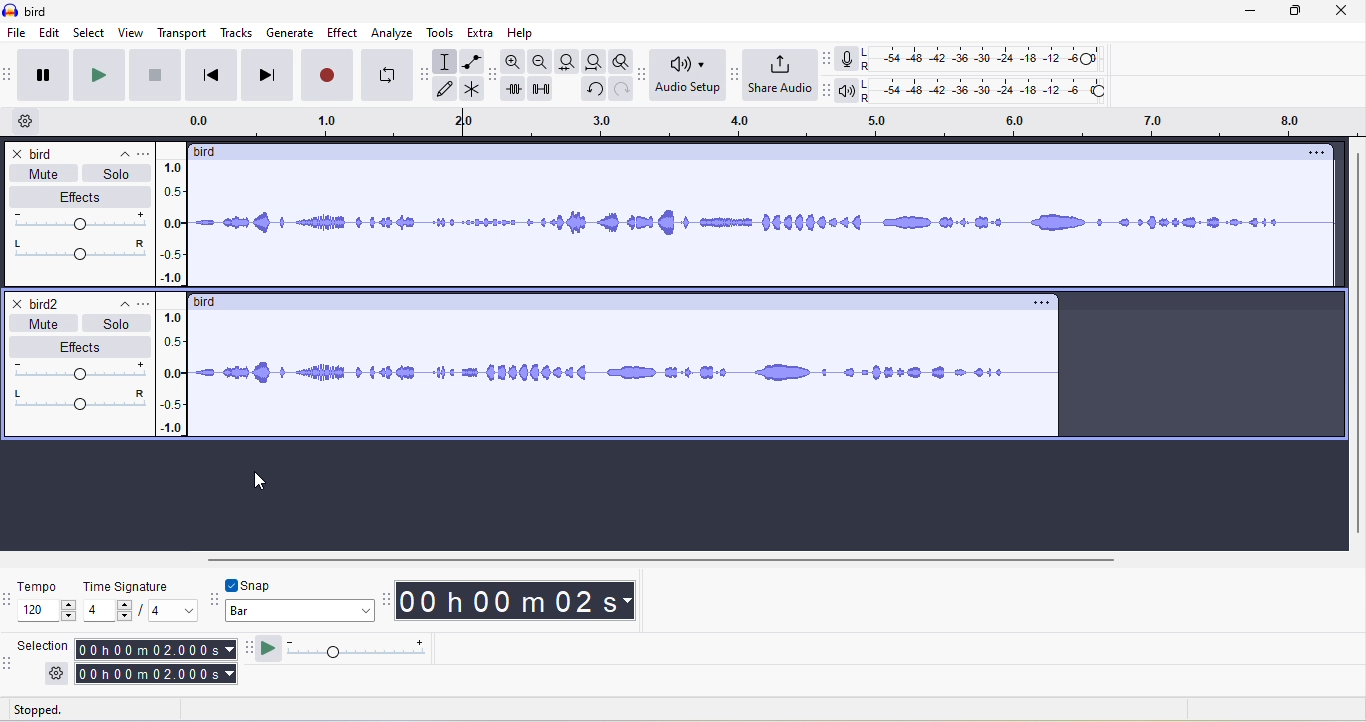 This screenshot has width=1366, height=722. I want to click on solo, so click(117, 171).